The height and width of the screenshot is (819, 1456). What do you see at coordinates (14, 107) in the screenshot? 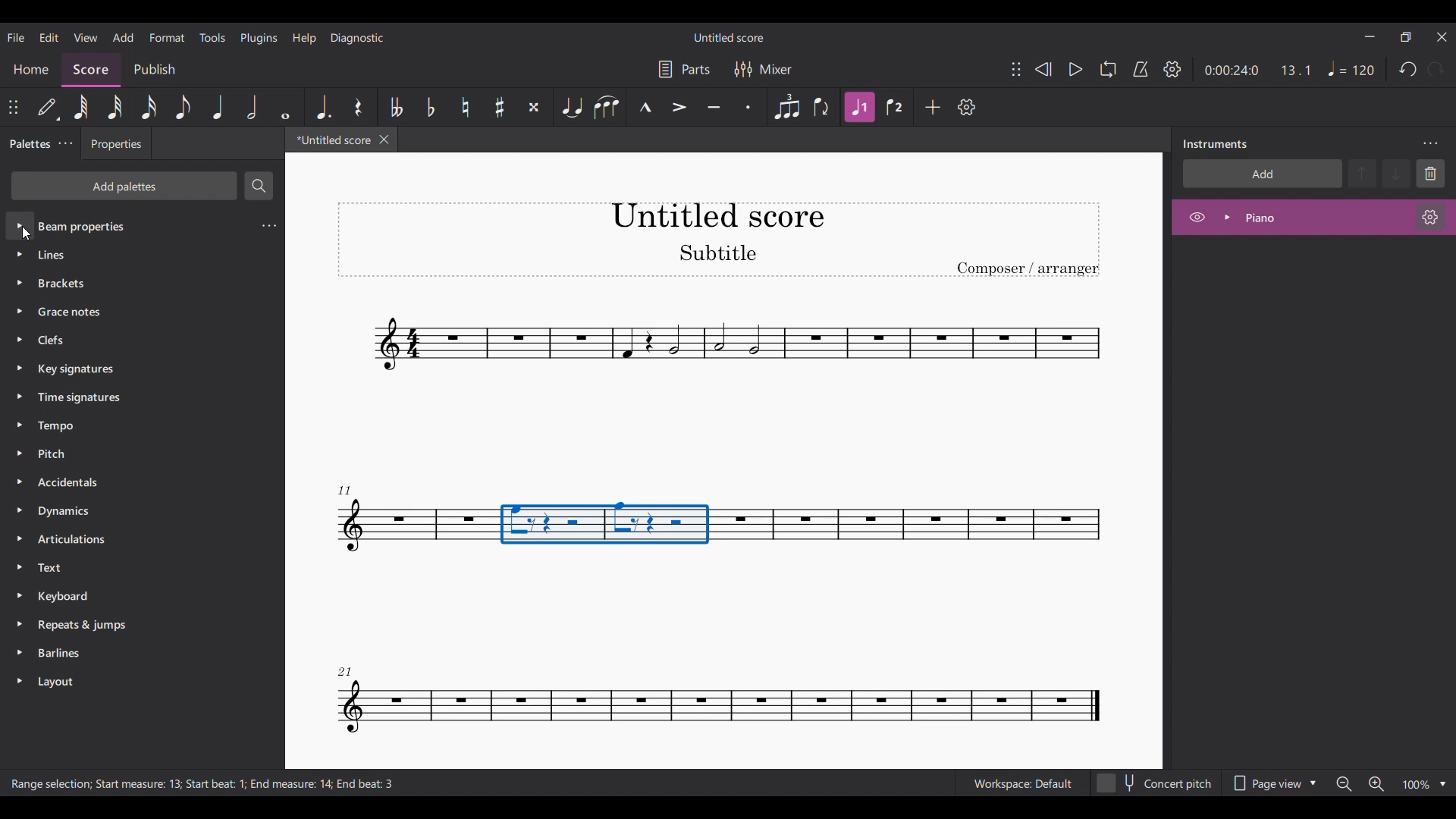
I see `Change position of toolbar` at bounding box center [14, 107].